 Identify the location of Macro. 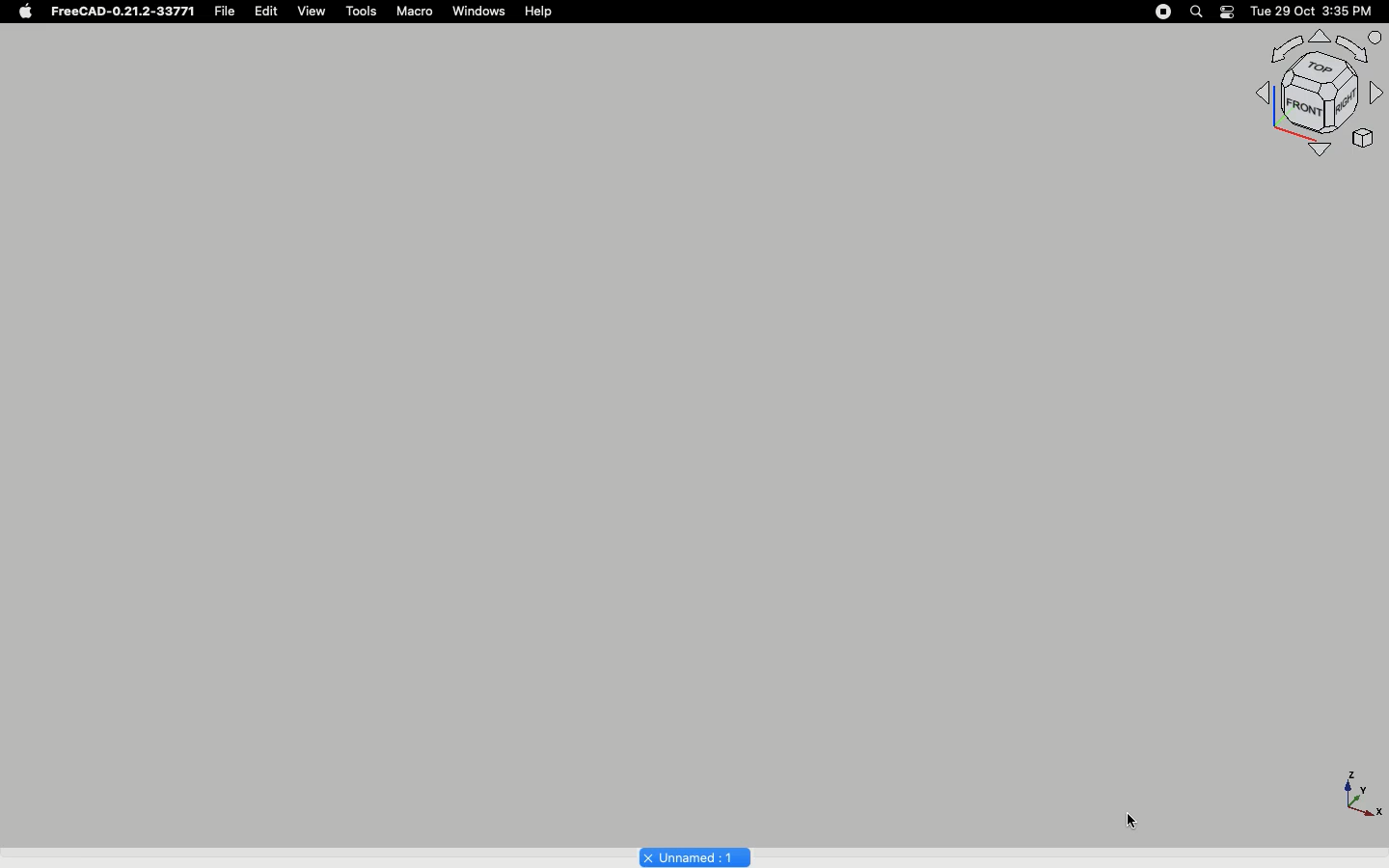
(414, 11).